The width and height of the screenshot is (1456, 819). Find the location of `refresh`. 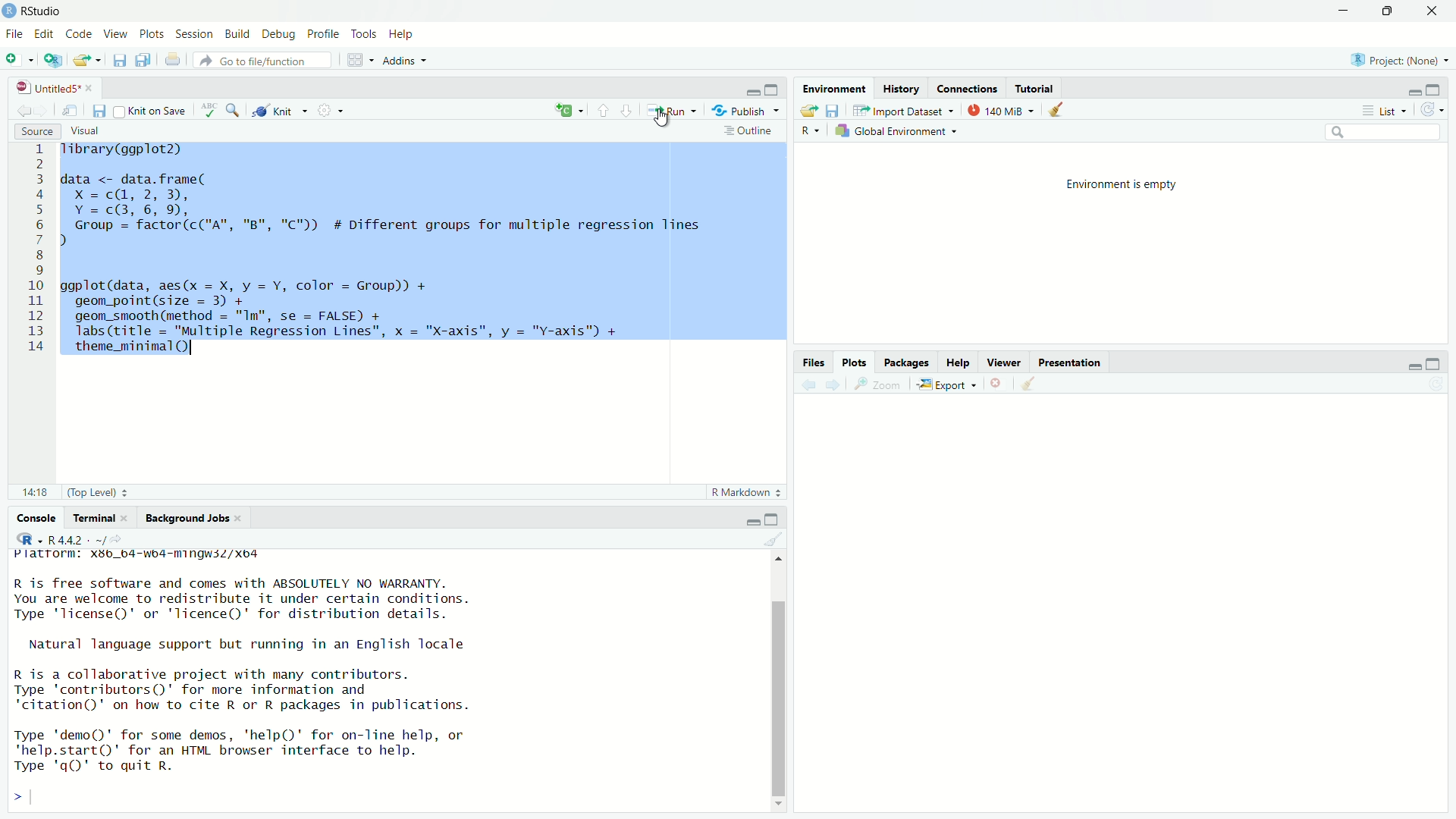

refresh is located at coordinates (1440, 385).